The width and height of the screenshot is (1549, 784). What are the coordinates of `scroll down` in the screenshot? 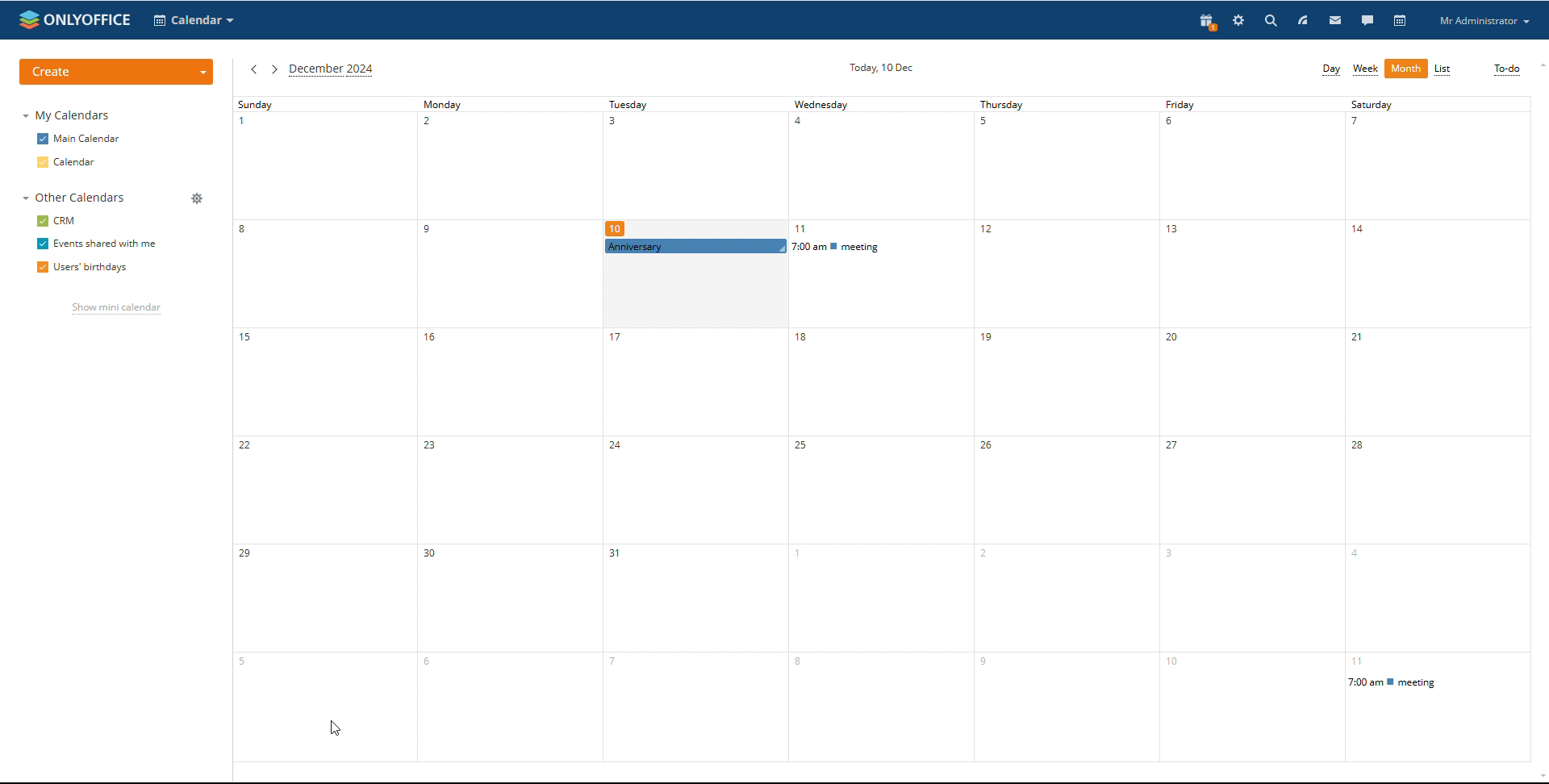 It's located at (1539, 778).